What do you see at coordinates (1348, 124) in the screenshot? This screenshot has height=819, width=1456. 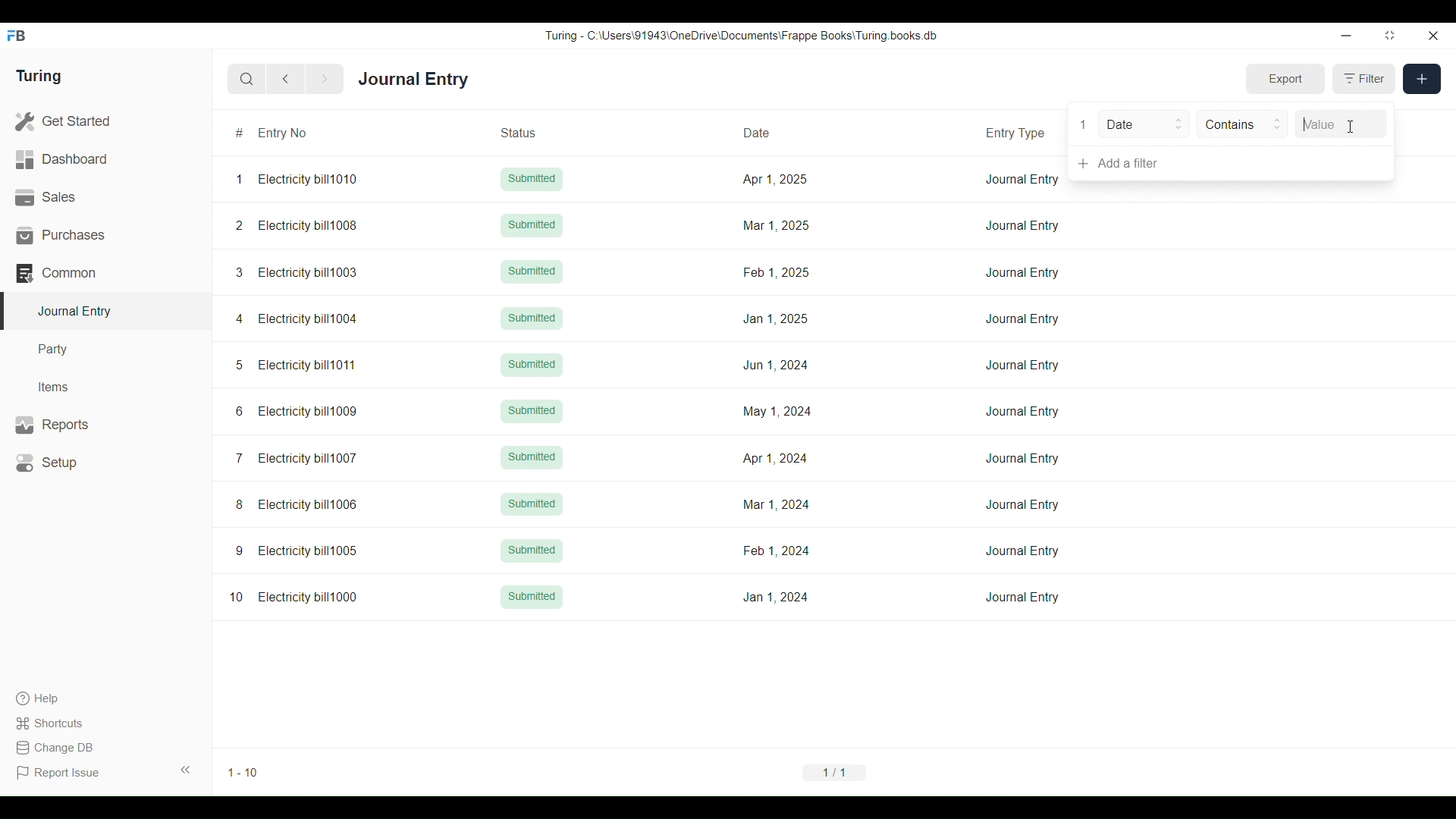 I see `Value` at bounding box center [1348, 124].